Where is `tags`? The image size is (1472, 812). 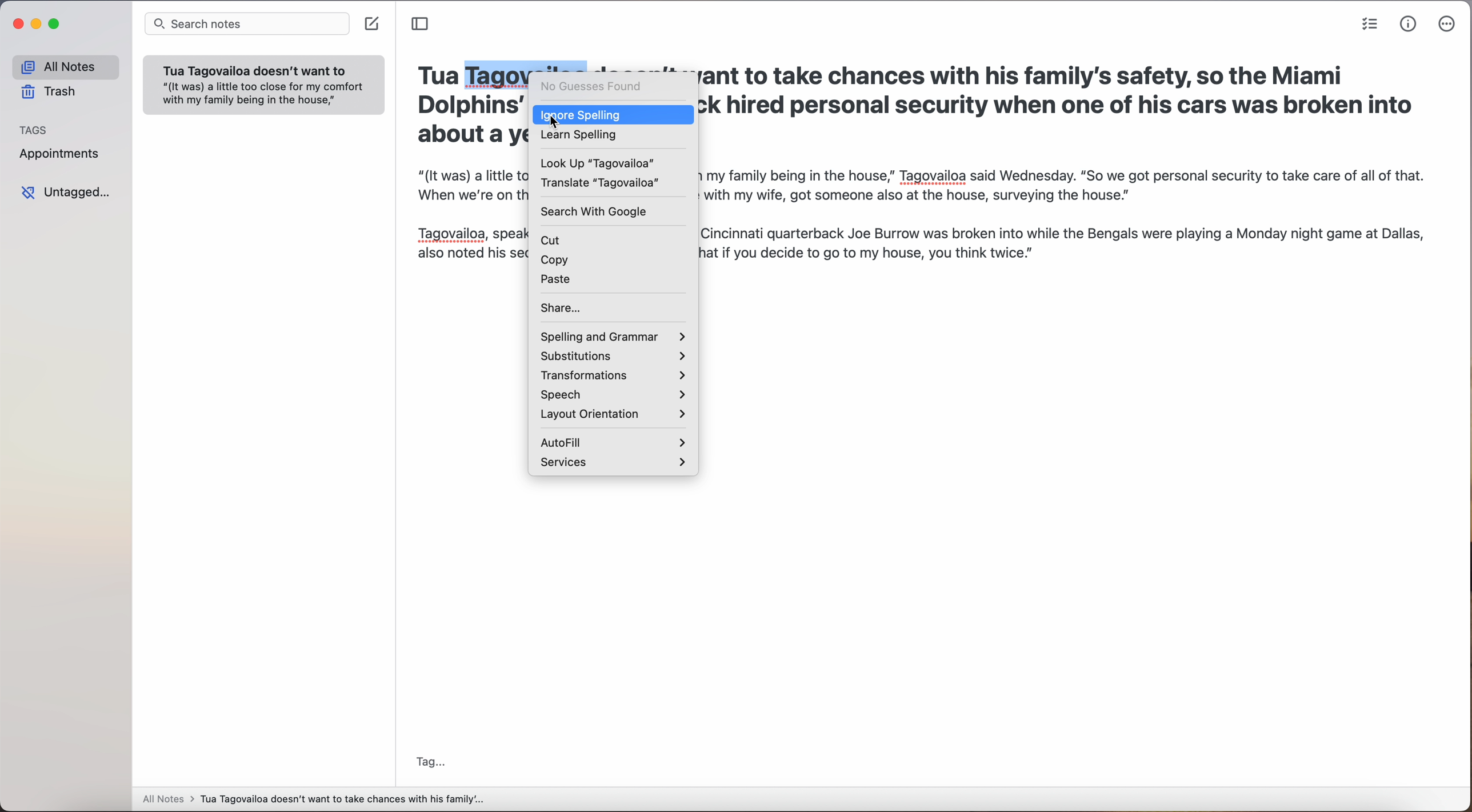 tags is located at coordinates (34, 129).